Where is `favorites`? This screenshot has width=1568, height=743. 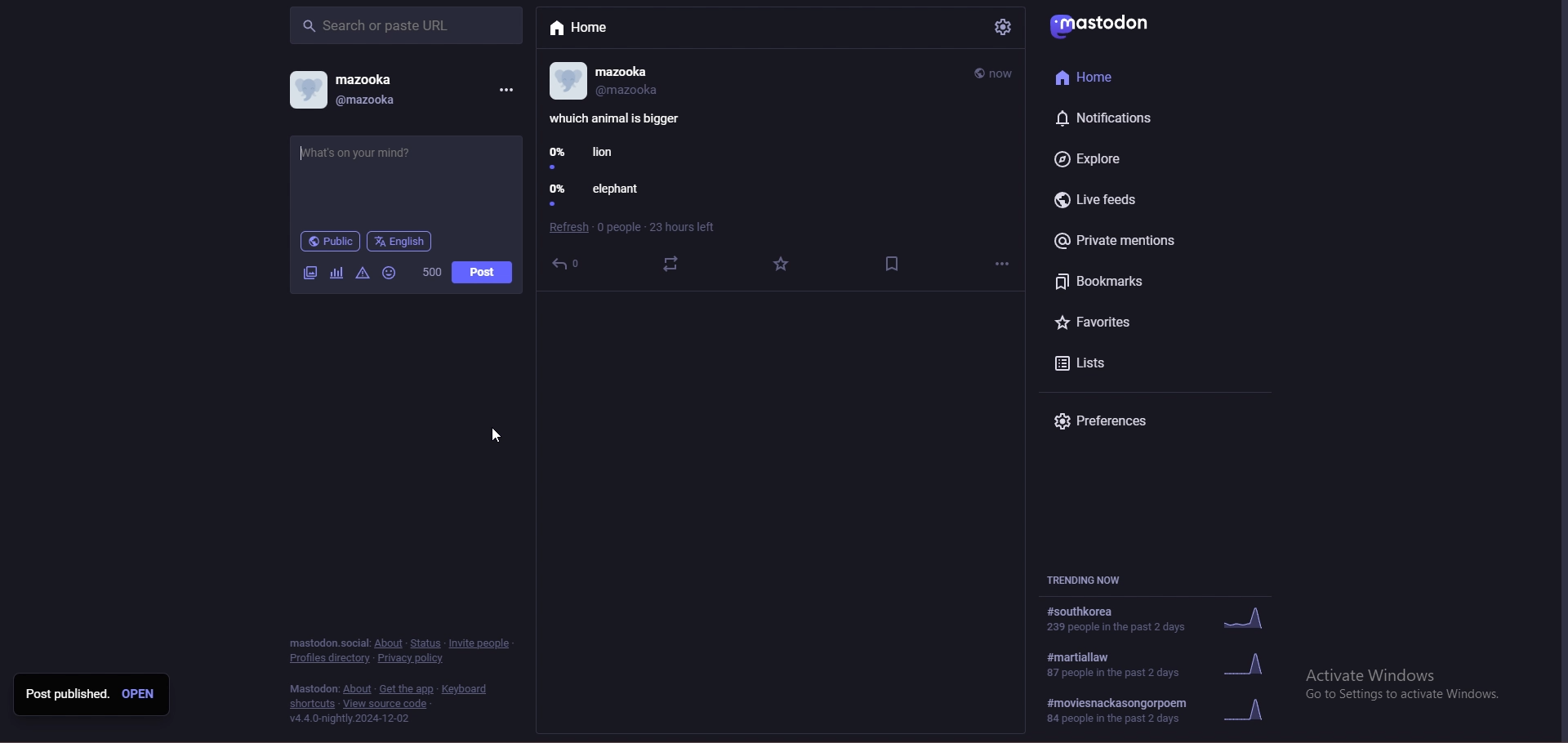
favorites is located at coordinates (1114, 324).